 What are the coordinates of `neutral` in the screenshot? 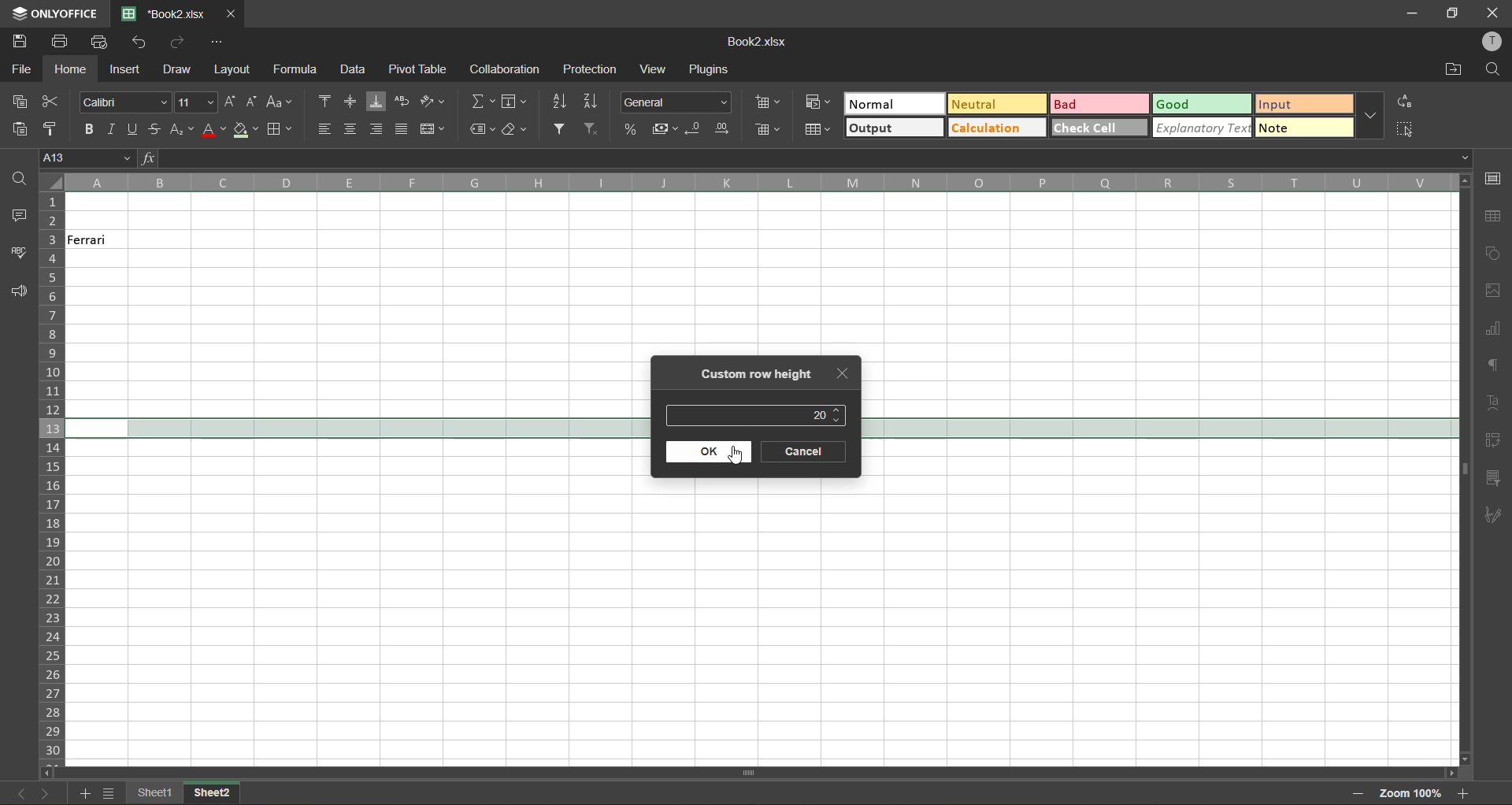 It's located at (1001, 105).